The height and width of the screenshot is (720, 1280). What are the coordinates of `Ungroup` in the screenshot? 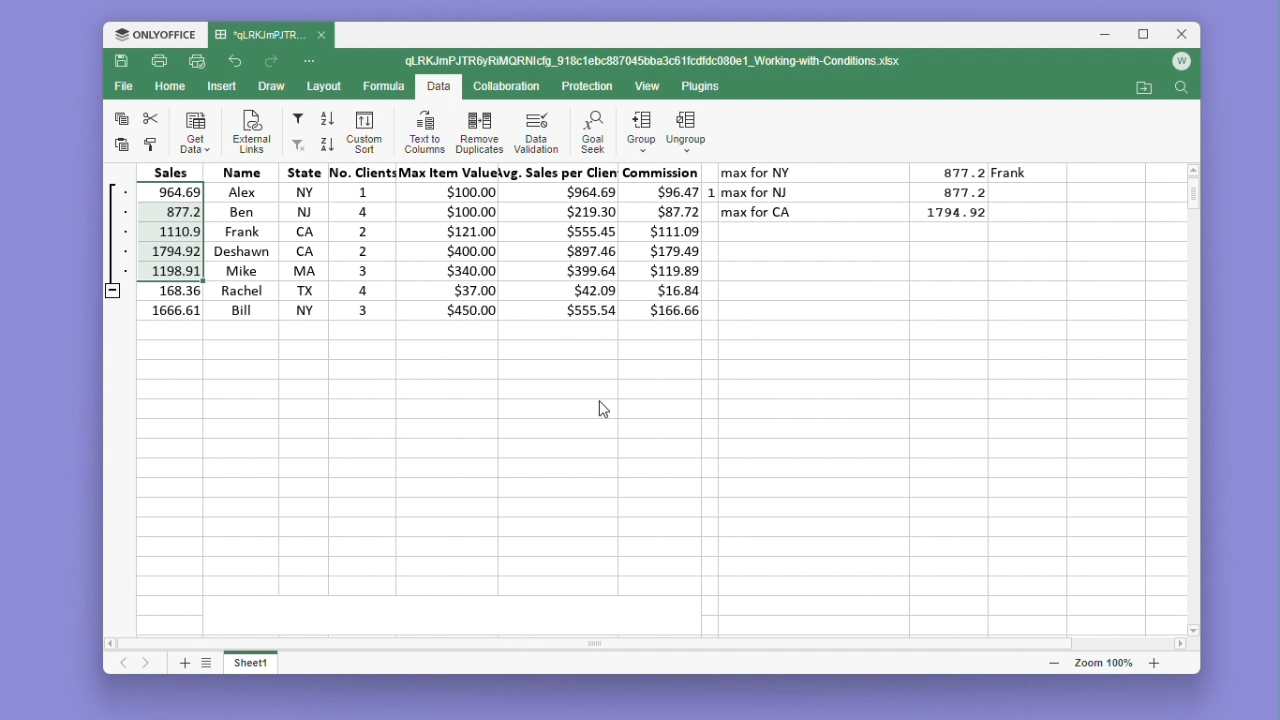 It's located at (693, 126).